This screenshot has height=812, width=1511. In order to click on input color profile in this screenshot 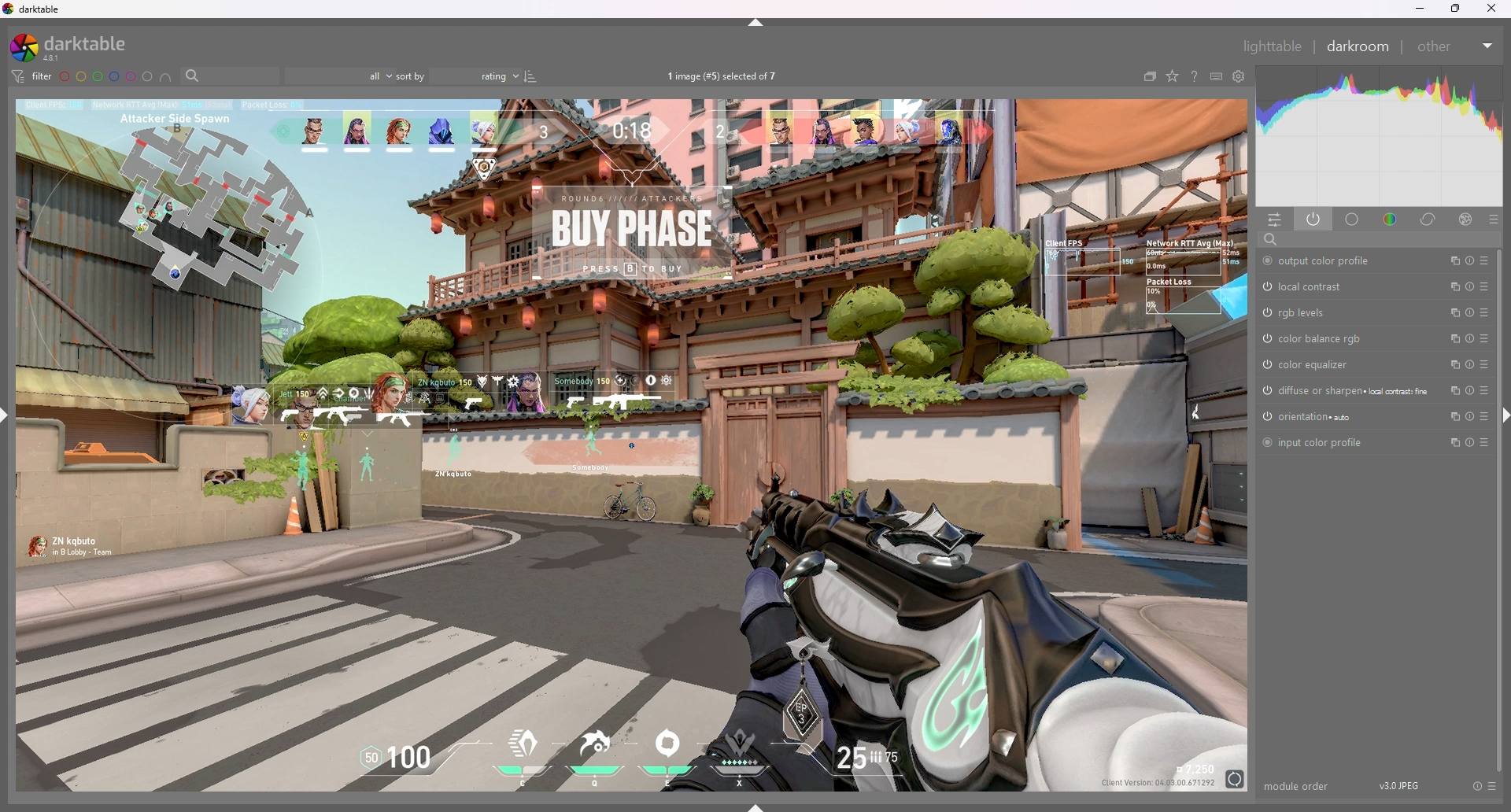, I will do `click(1315, 442)`.